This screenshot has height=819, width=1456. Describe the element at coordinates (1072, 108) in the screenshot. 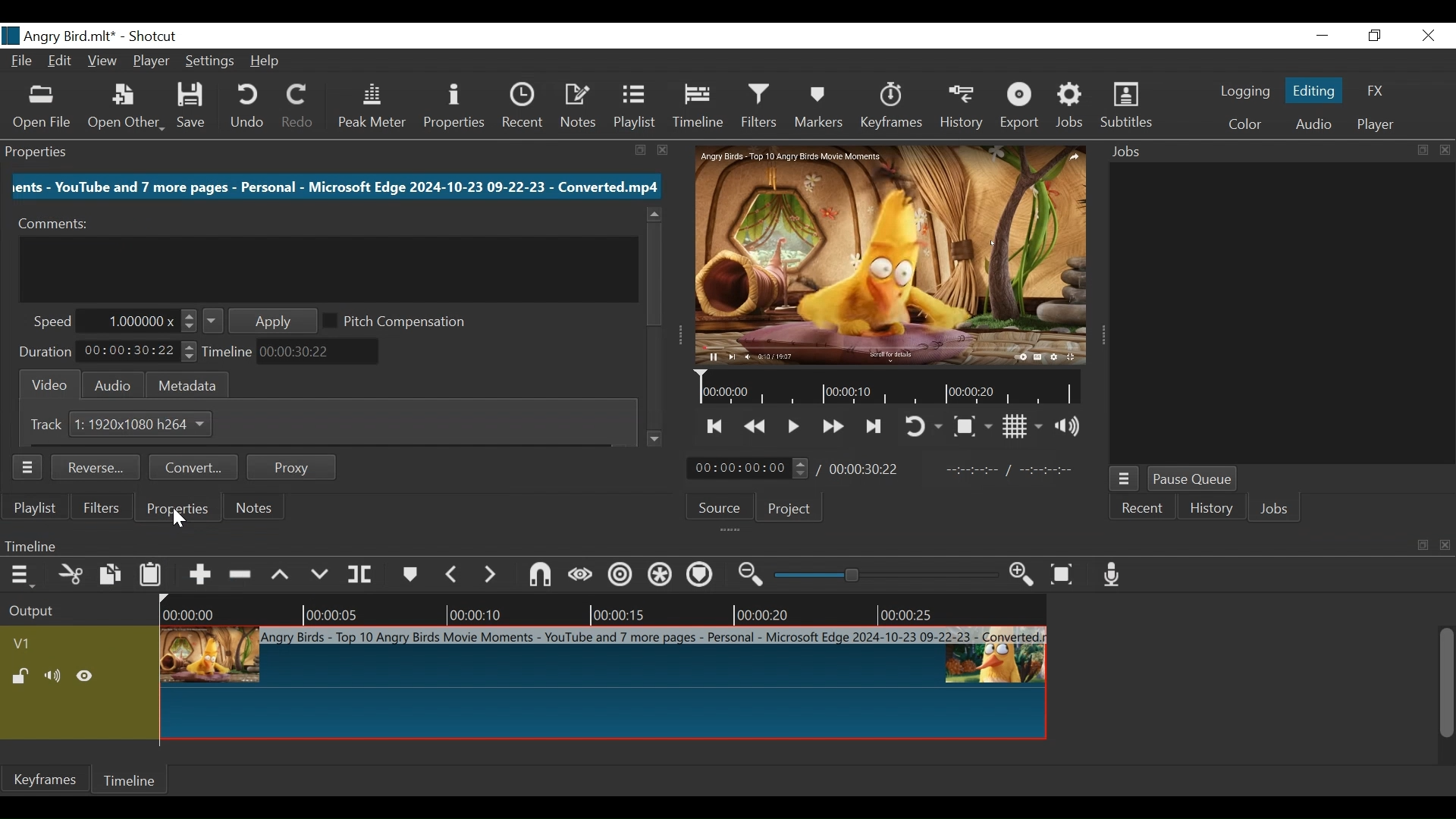

I see `Jobs` at that location.